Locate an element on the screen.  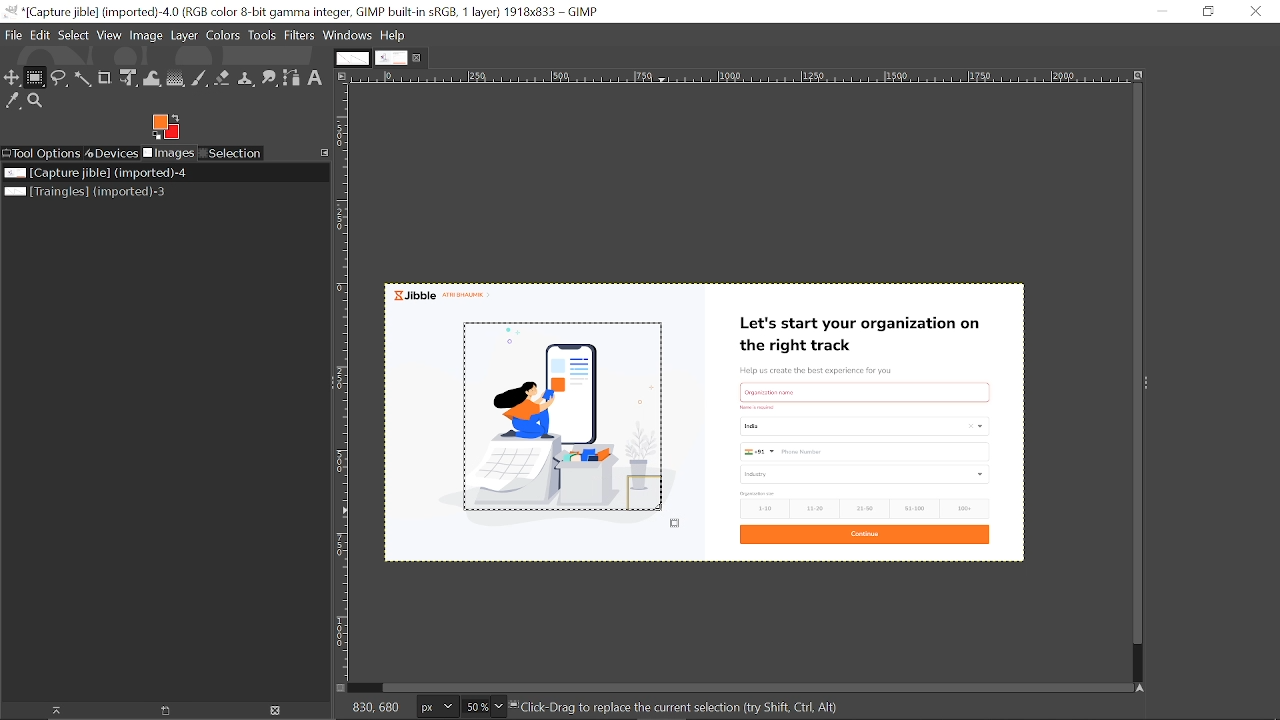
Vertical label is located at coordinates (346, 382).